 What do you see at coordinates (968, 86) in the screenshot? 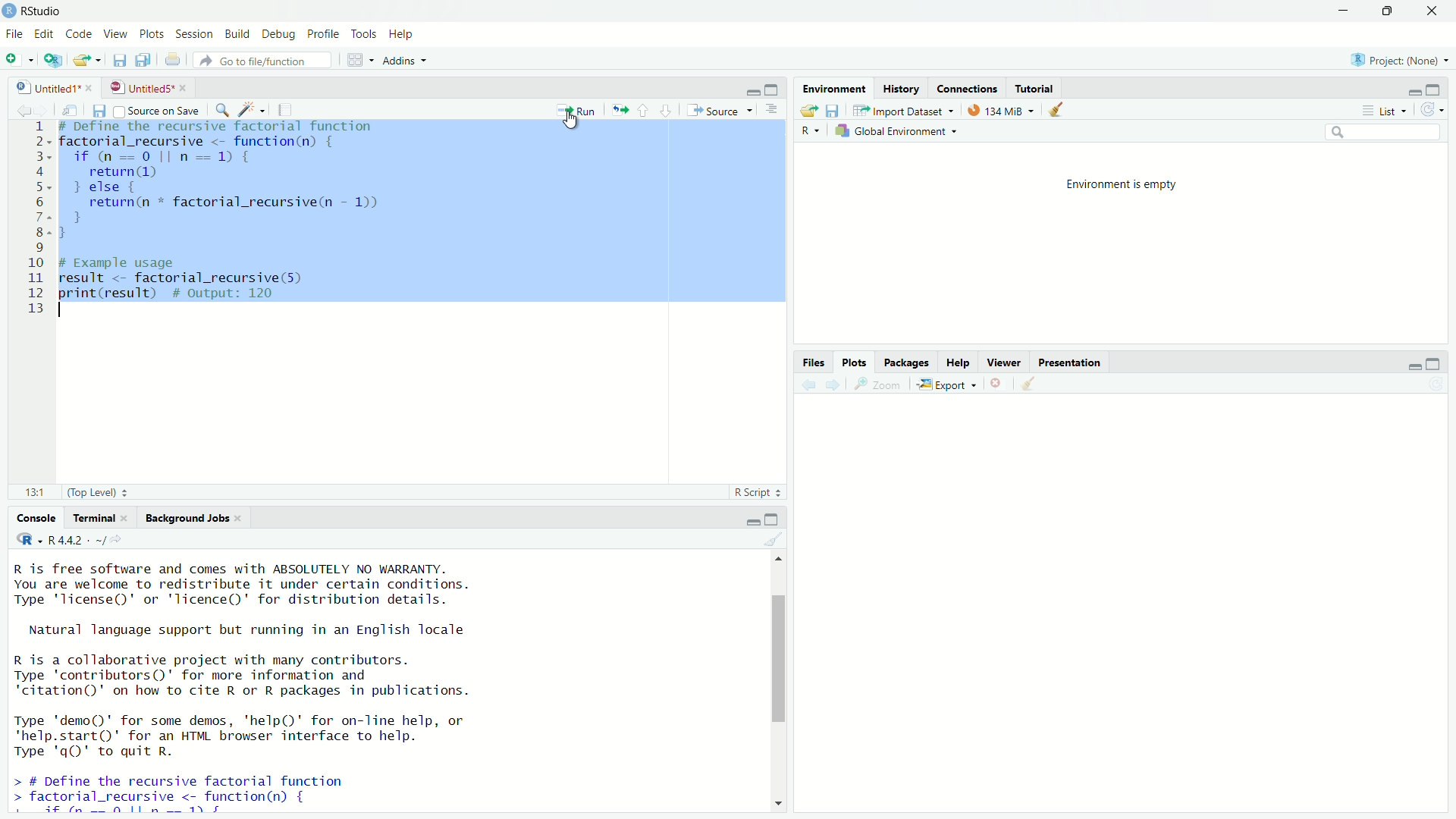
I see `Connections` at bounding box center [968, 86].